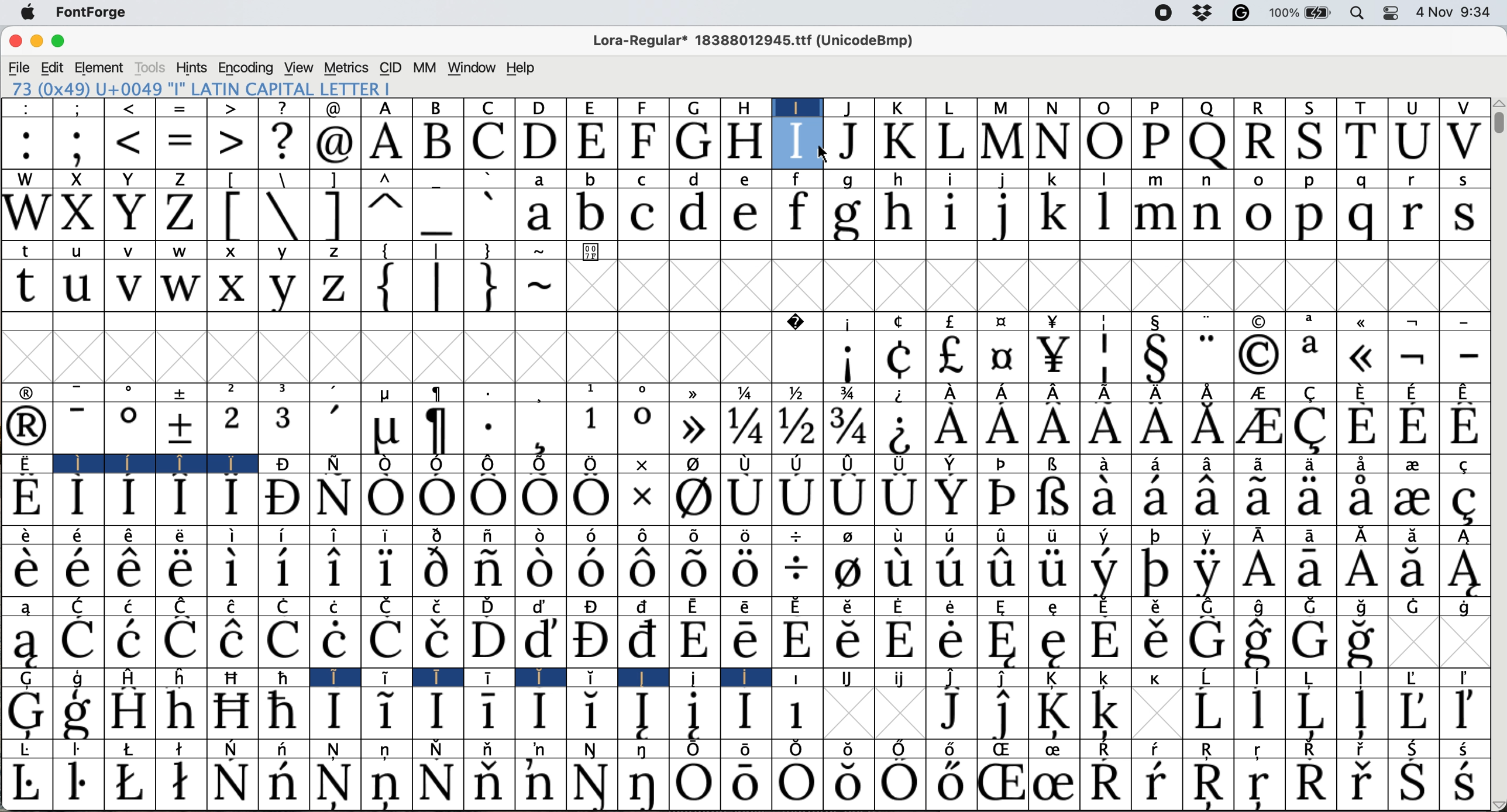 The height and width of the screenshot is (812, 1507). Describe the element at coordinates (897, 321) in the screenshot. I see `symbol` at that location.